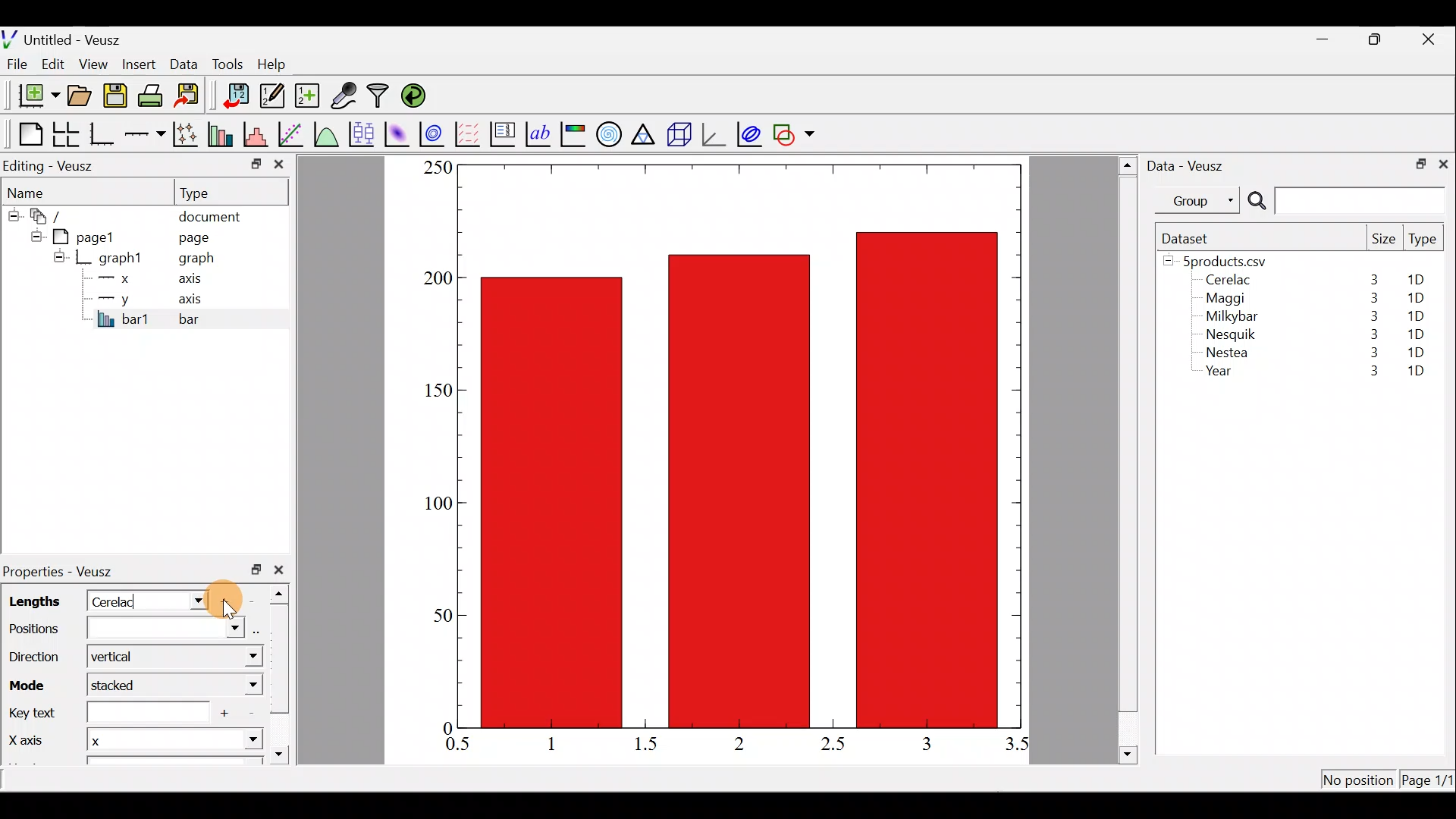 This screenshot has height=819, width=1456. Describe the element at coordinates (155, 95) in the screenshot. I see `Print the document` at that location.